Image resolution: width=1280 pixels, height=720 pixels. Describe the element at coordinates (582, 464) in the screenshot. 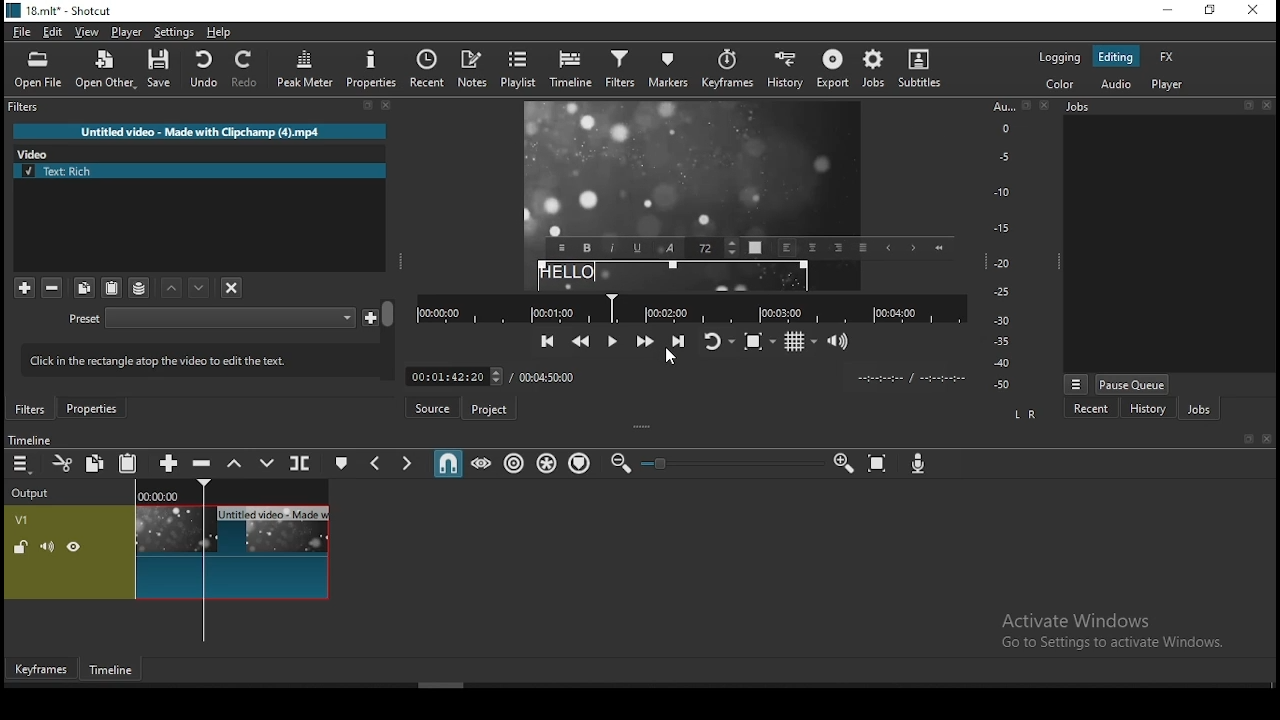

I see `ripple markers` at that location.